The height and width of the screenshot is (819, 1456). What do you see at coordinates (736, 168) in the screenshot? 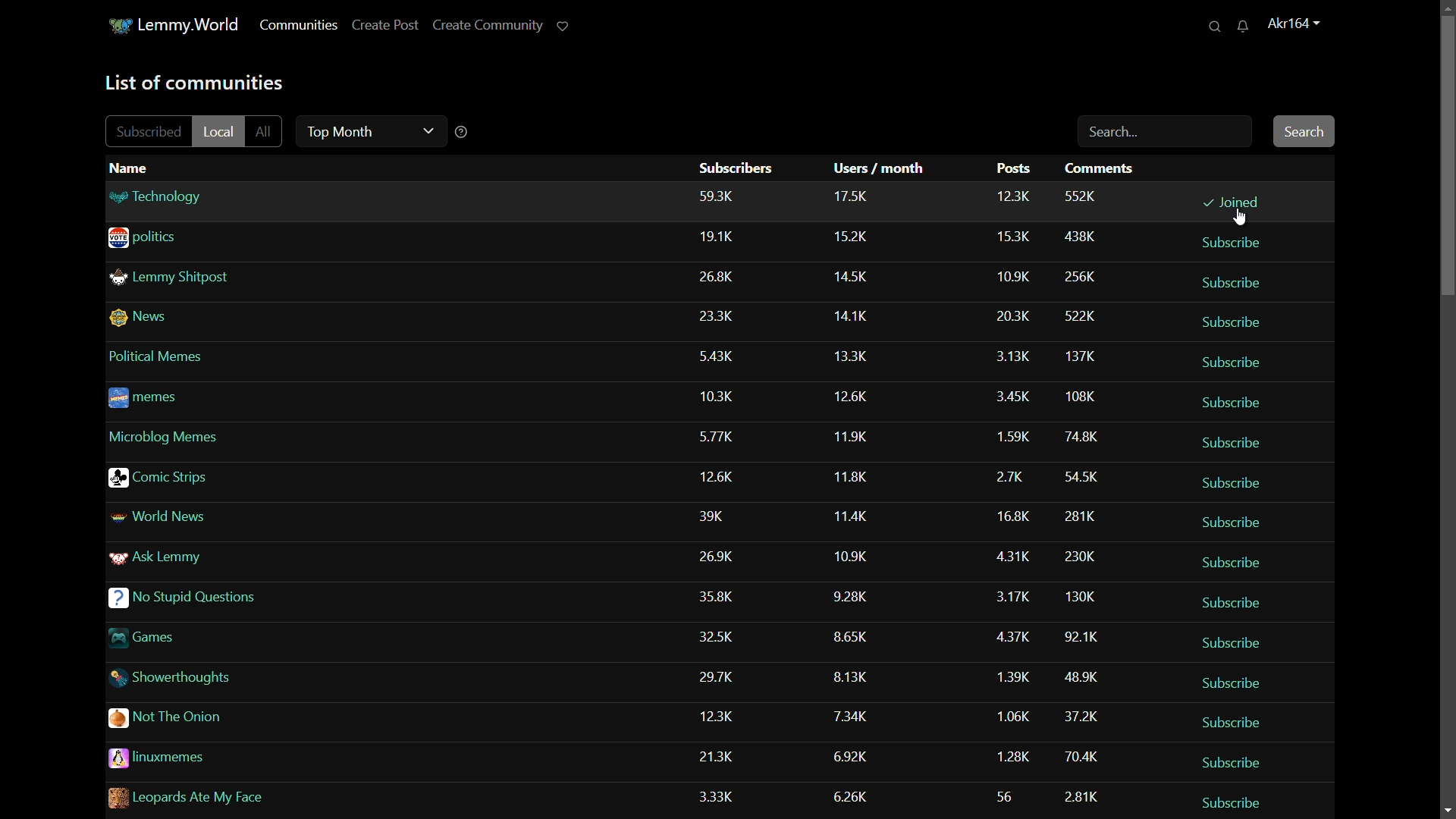
I see `subscribers` at bounding box center [736, 168].